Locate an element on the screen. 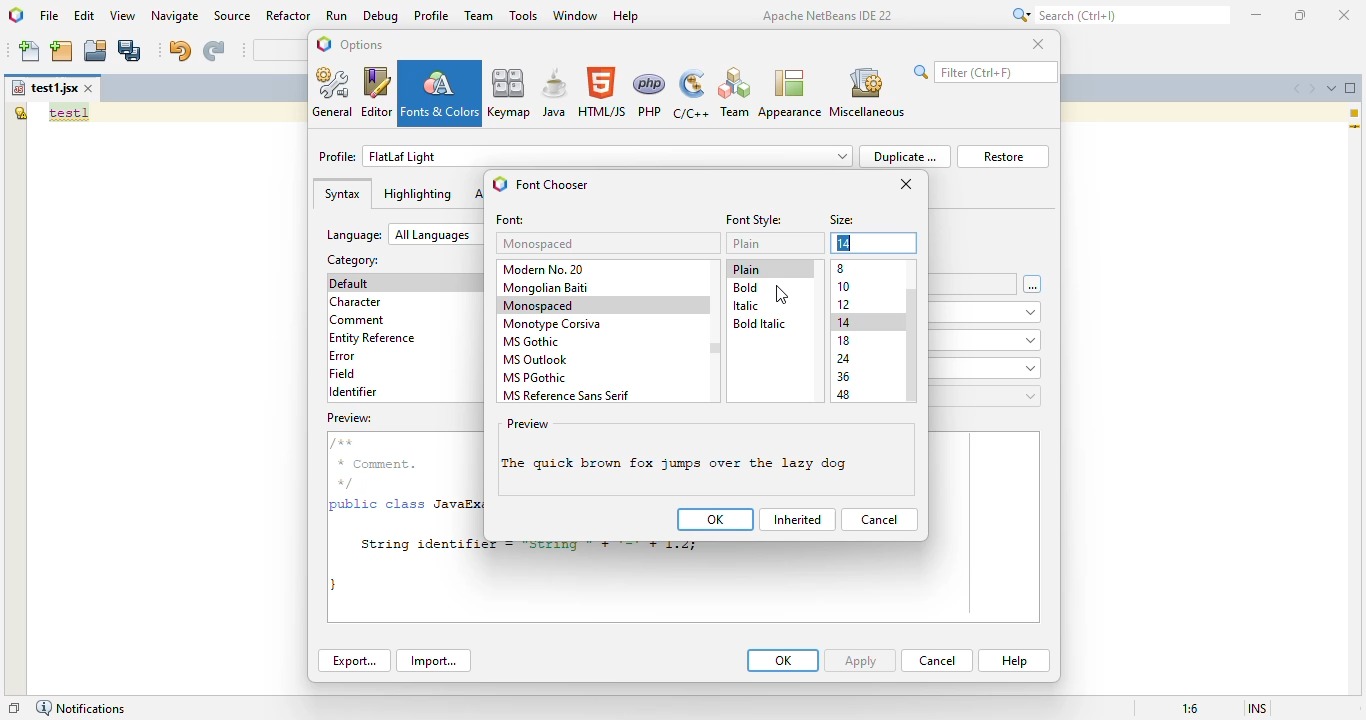 This screenshot has width=1366, height=720. editor is located at coordinates (377, 92).